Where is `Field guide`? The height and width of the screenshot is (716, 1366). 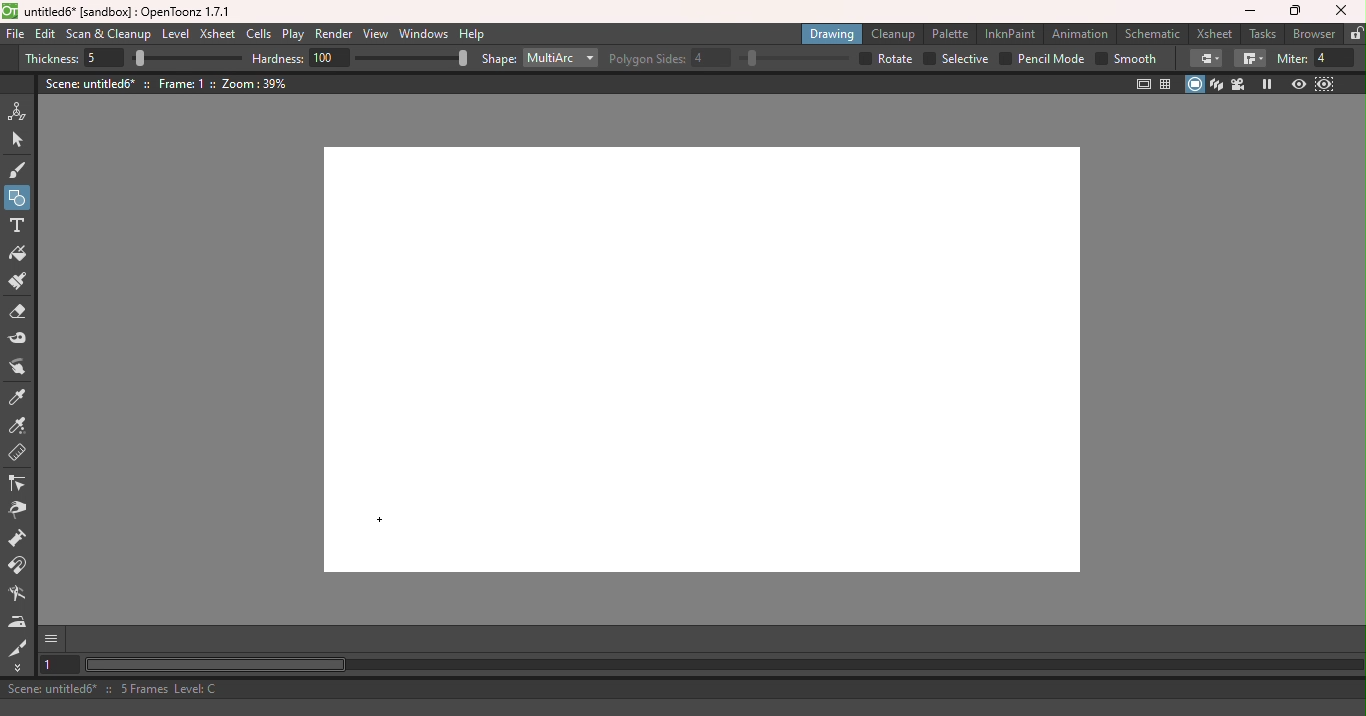
Field guide is located at coordinates (1168, 85).